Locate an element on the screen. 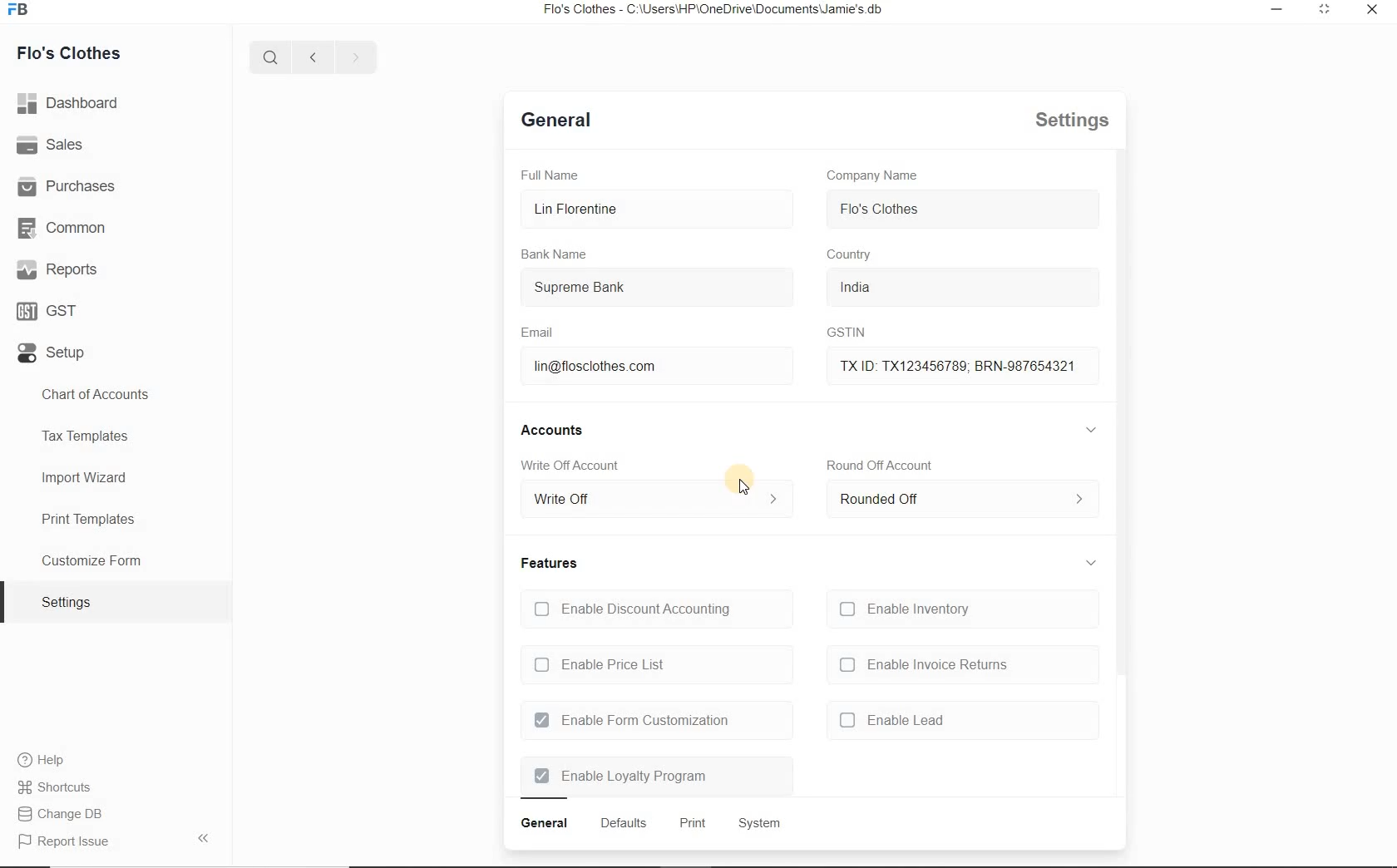 This screenshot has height=868, width=1397. Sales is located at coordinates (53, 146).